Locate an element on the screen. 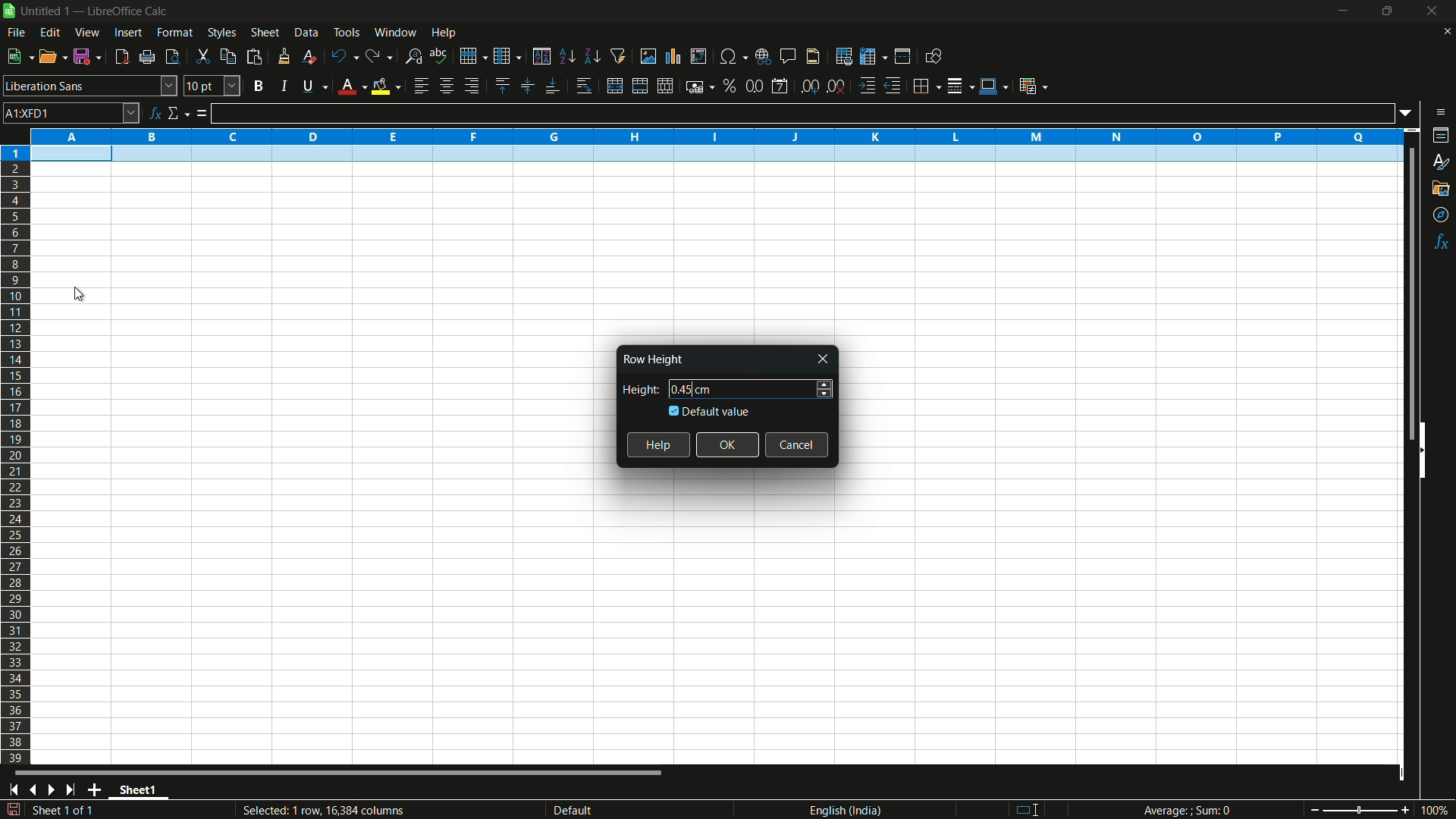  close current sheet is located at coordinates (1445, 35).